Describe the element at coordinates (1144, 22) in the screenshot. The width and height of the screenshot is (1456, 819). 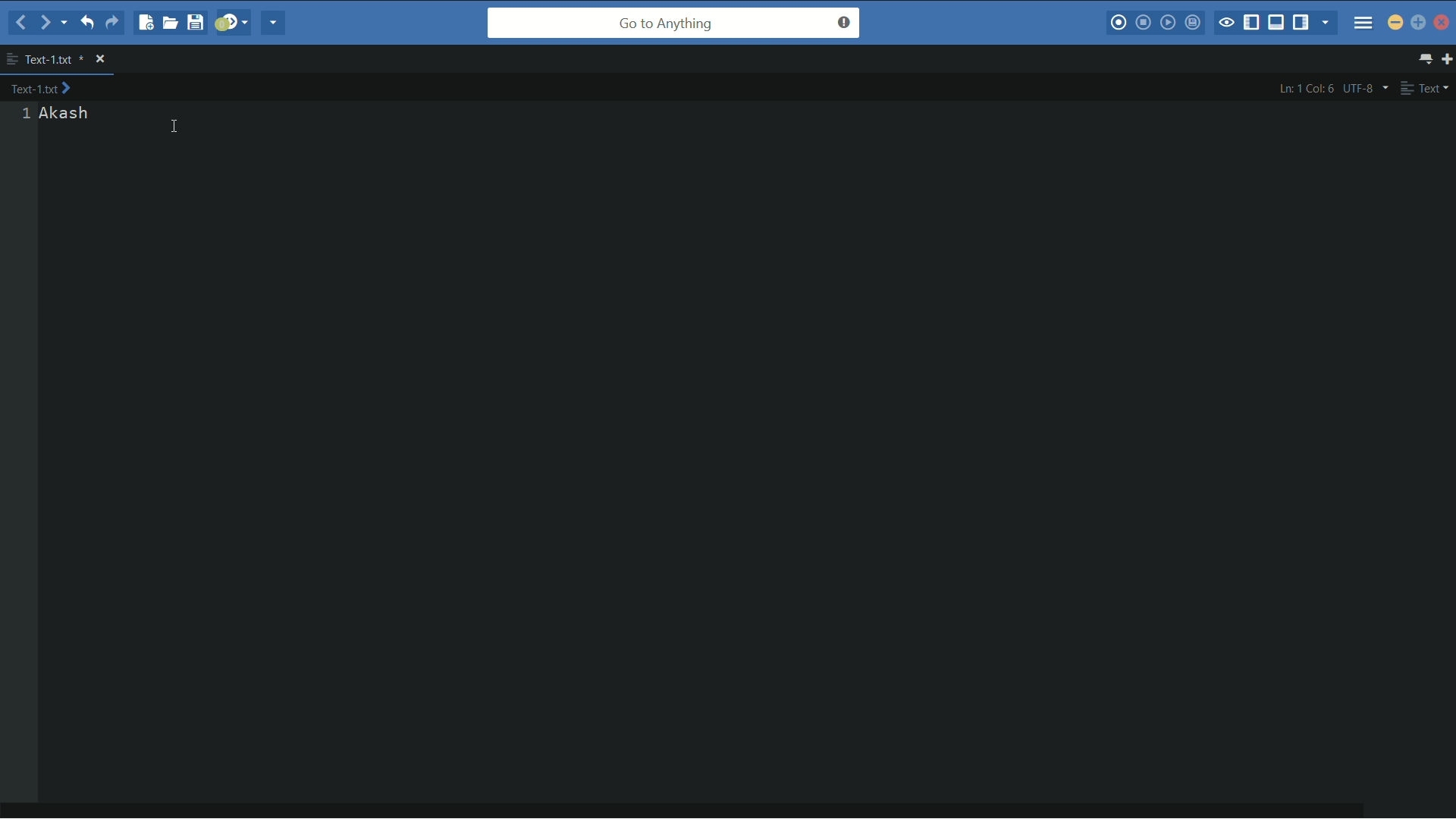
I see `stop macro` at that location.